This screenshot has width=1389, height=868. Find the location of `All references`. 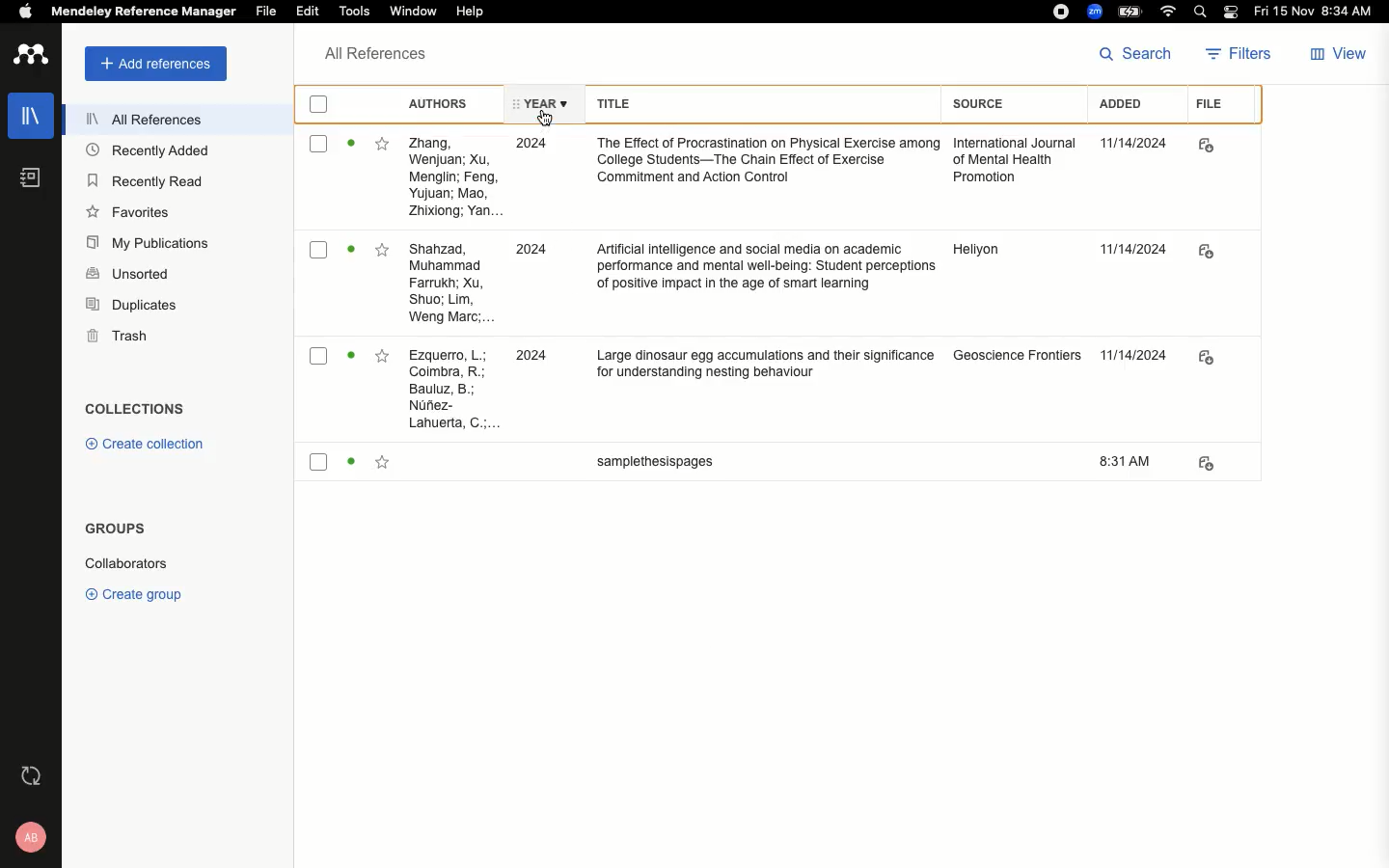

All references is located at coordinates (368, 53).